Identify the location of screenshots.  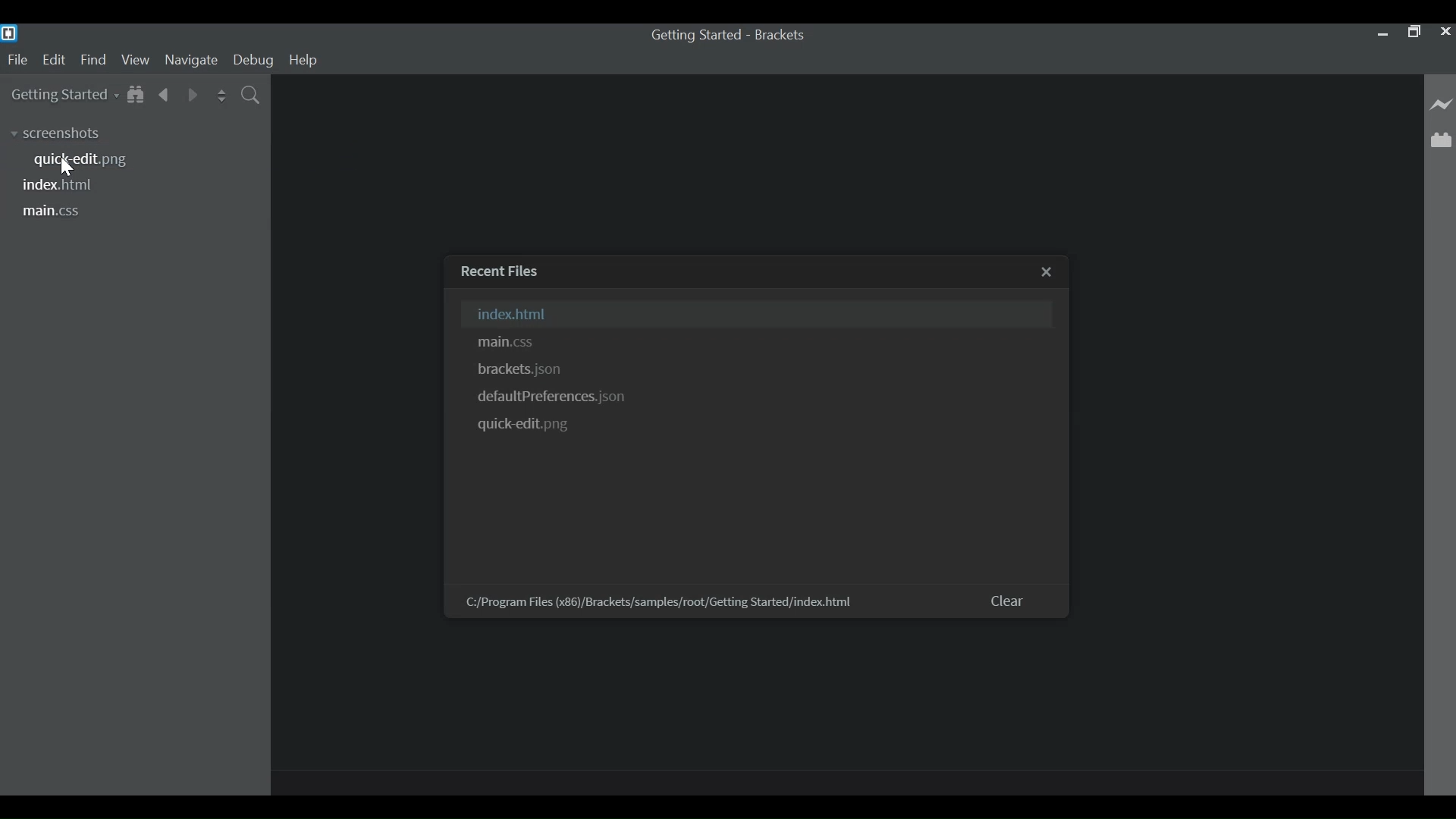
(67, 134).